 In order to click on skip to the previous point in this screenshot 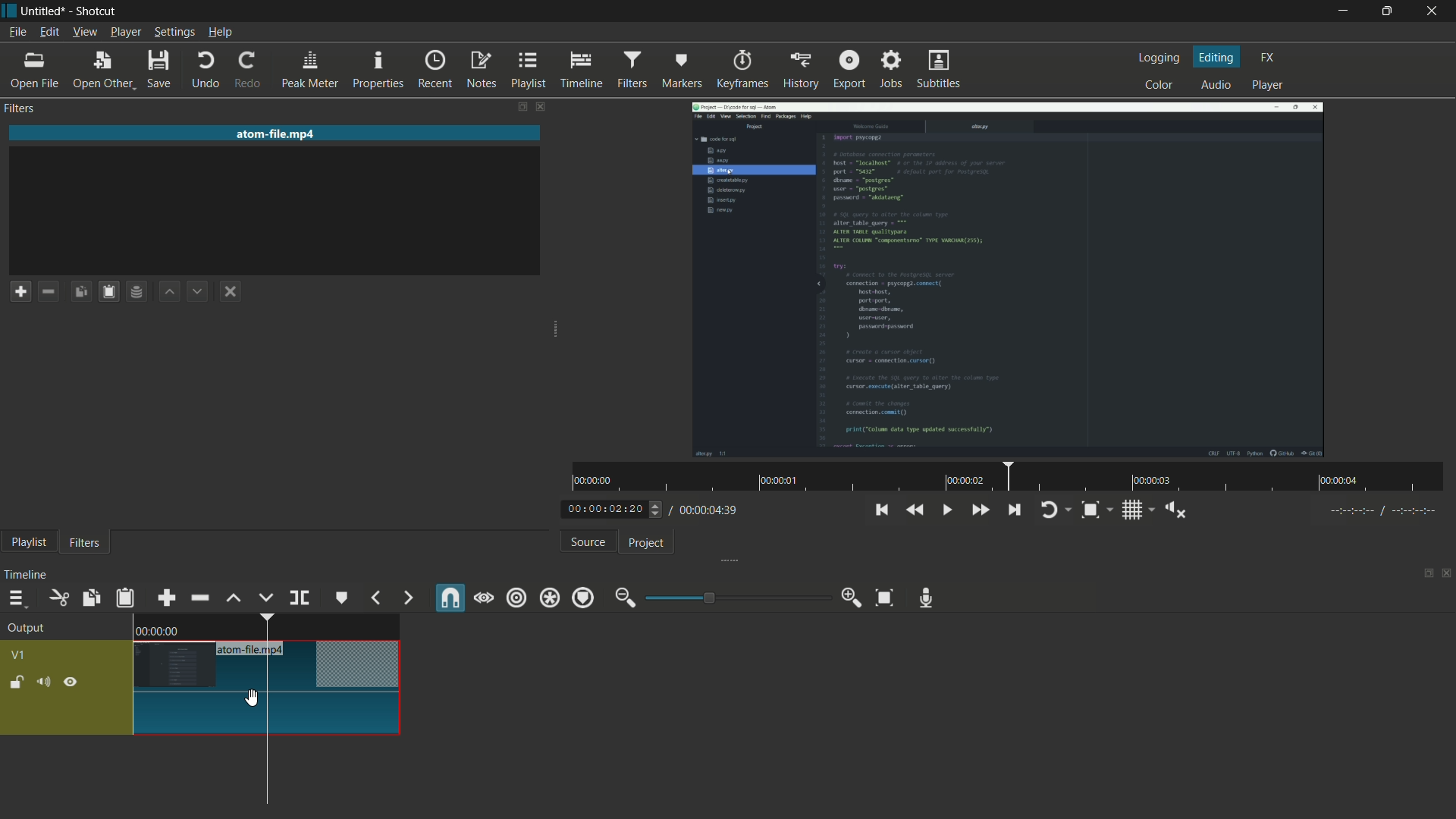, I will do `click(880, 510)`.